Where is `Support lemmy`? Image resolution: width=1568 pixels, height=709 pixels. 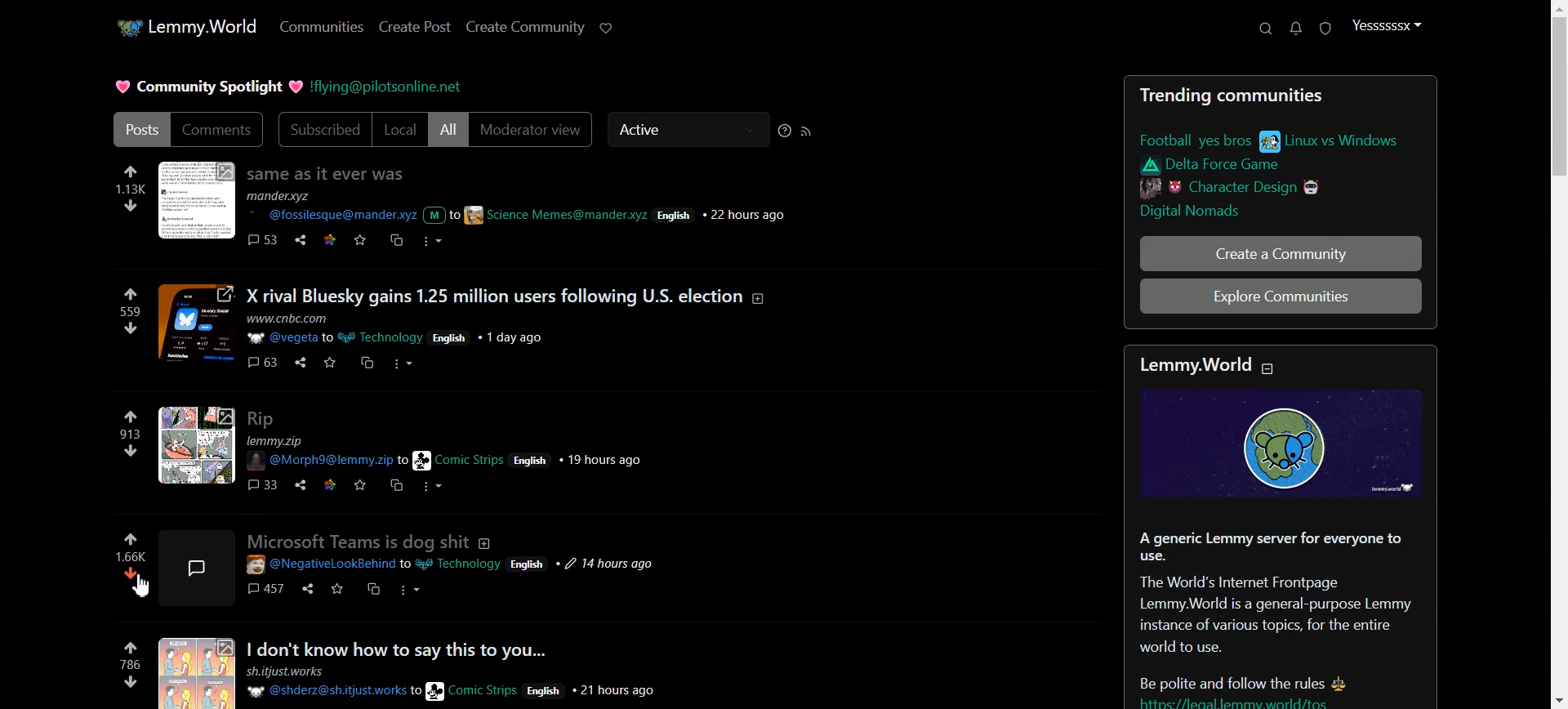
Support lemmy is located at coordinates (605, 28).